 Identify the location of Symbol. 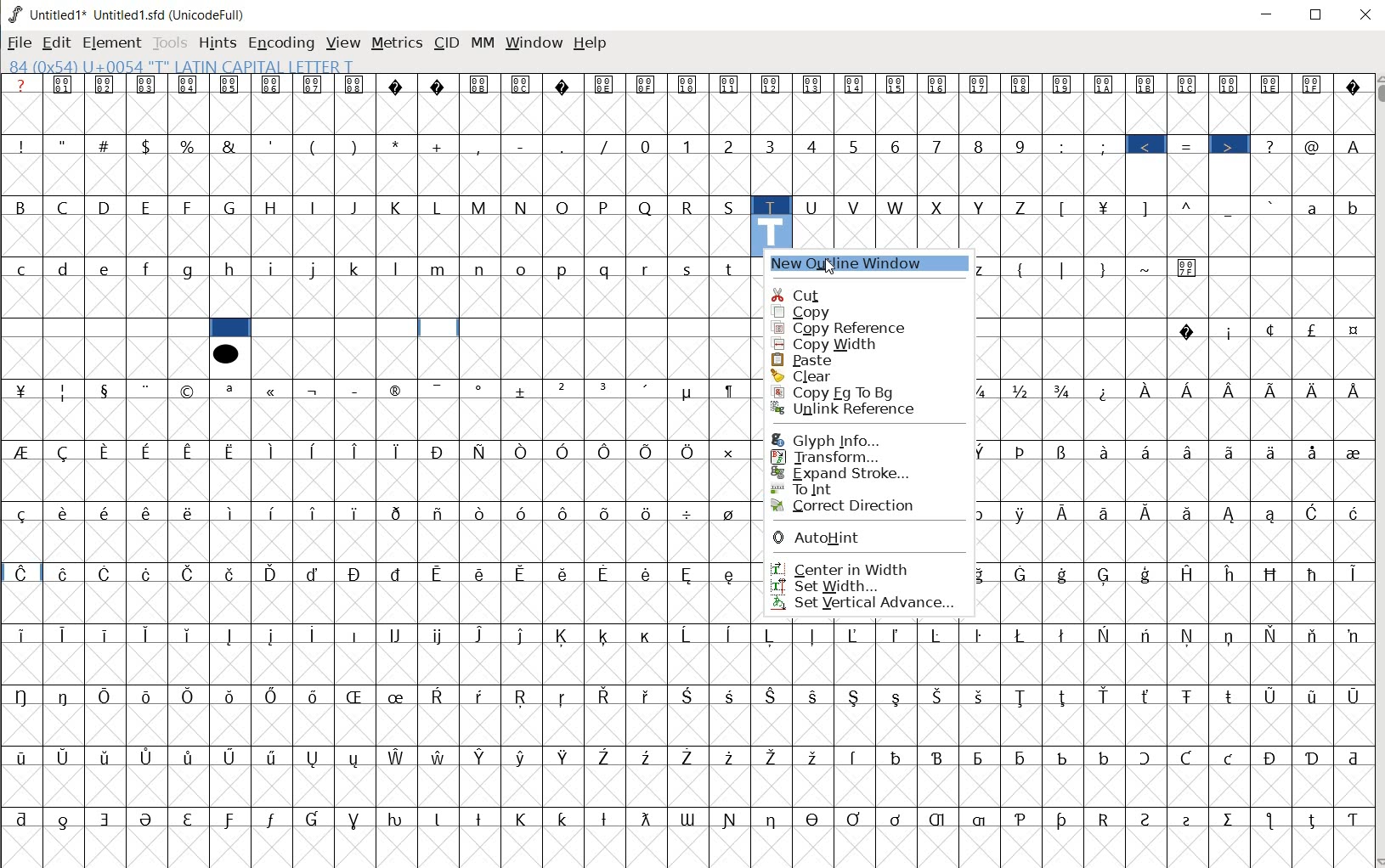
(688, 84).